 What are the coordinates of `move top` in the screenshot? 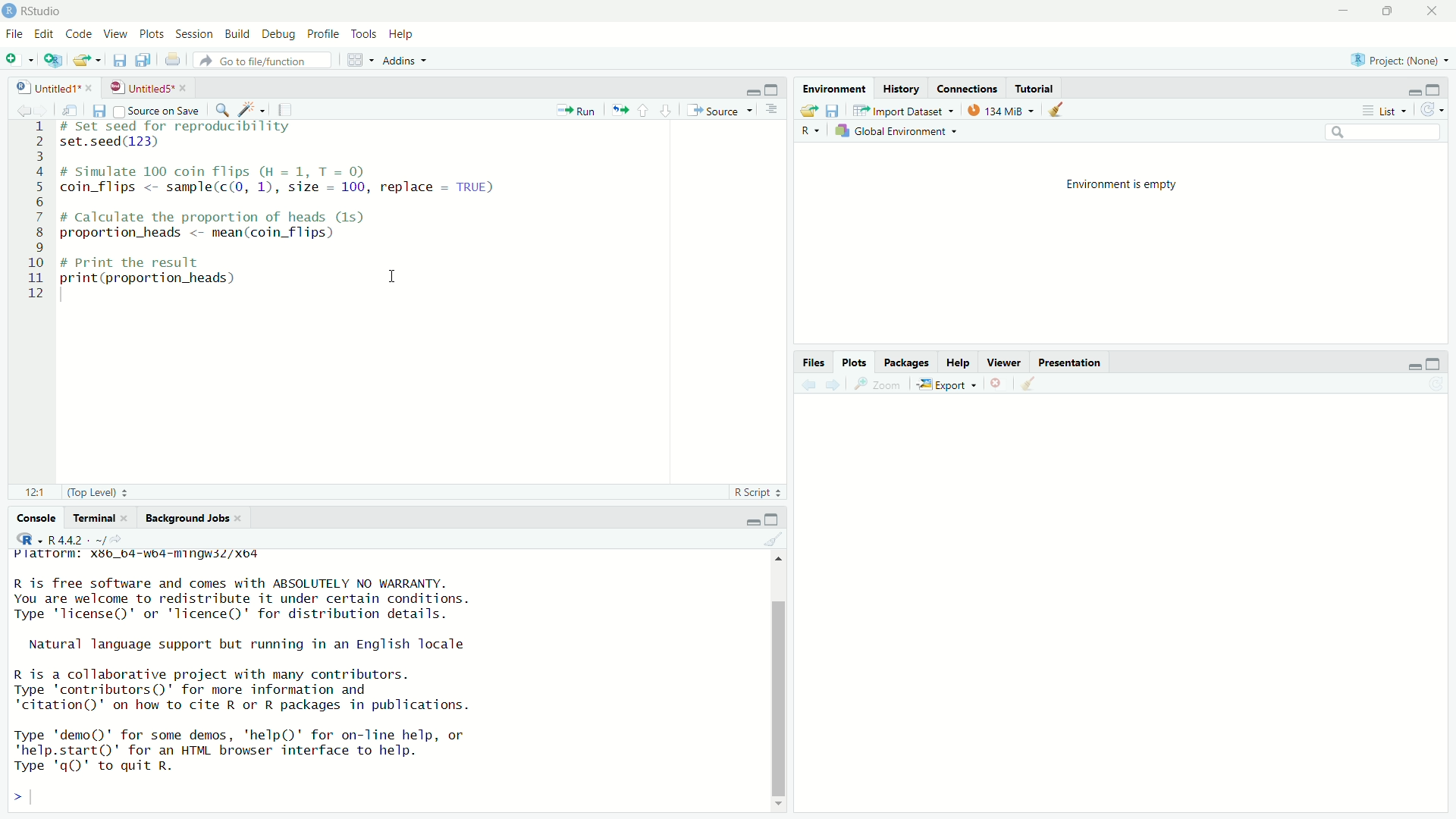 It's located at (781, 564).